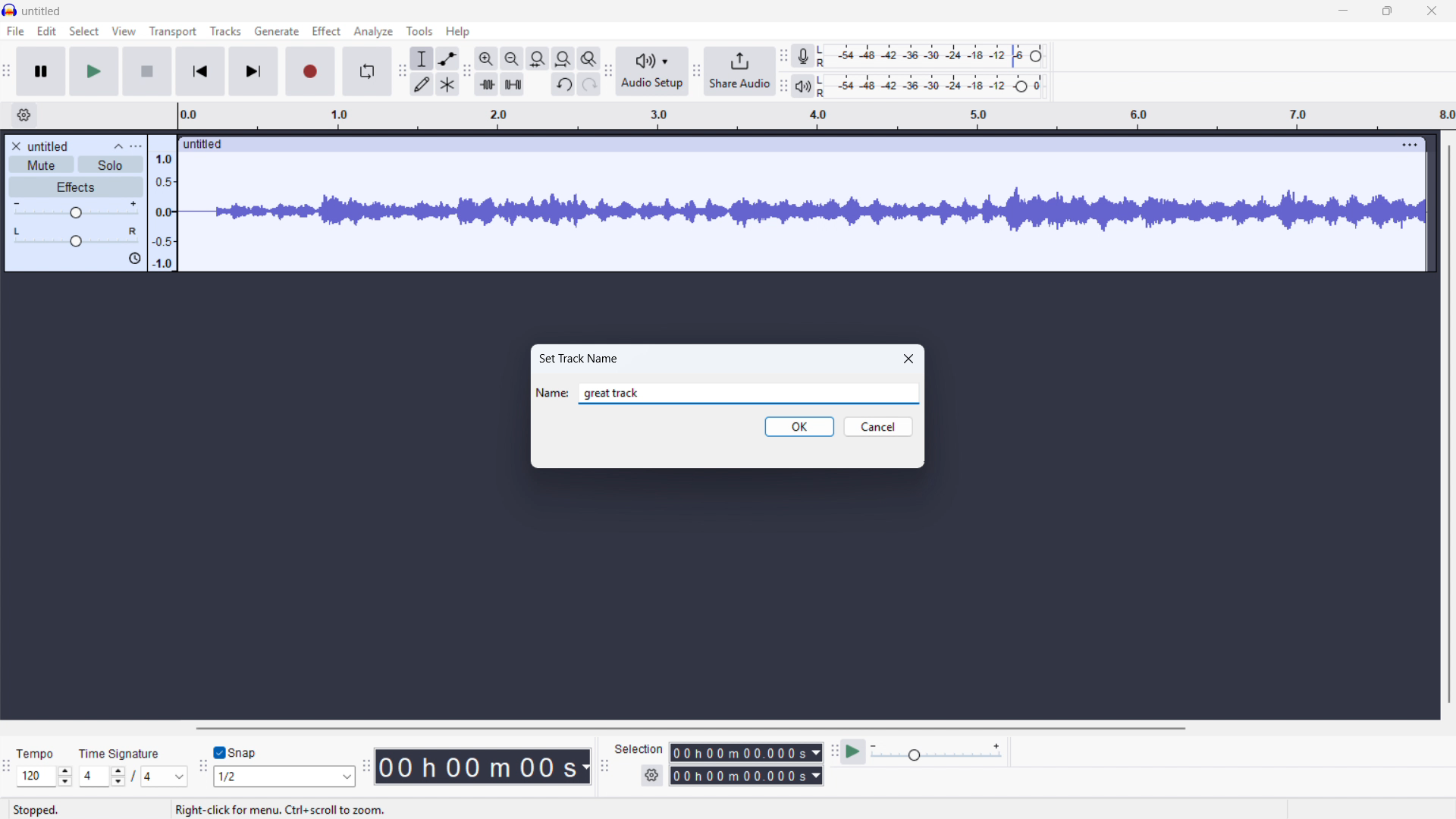  What do you see at coordinates (253, 72) in the screenshot?
I see `Skip to end ` at bounding box center [253, 72].